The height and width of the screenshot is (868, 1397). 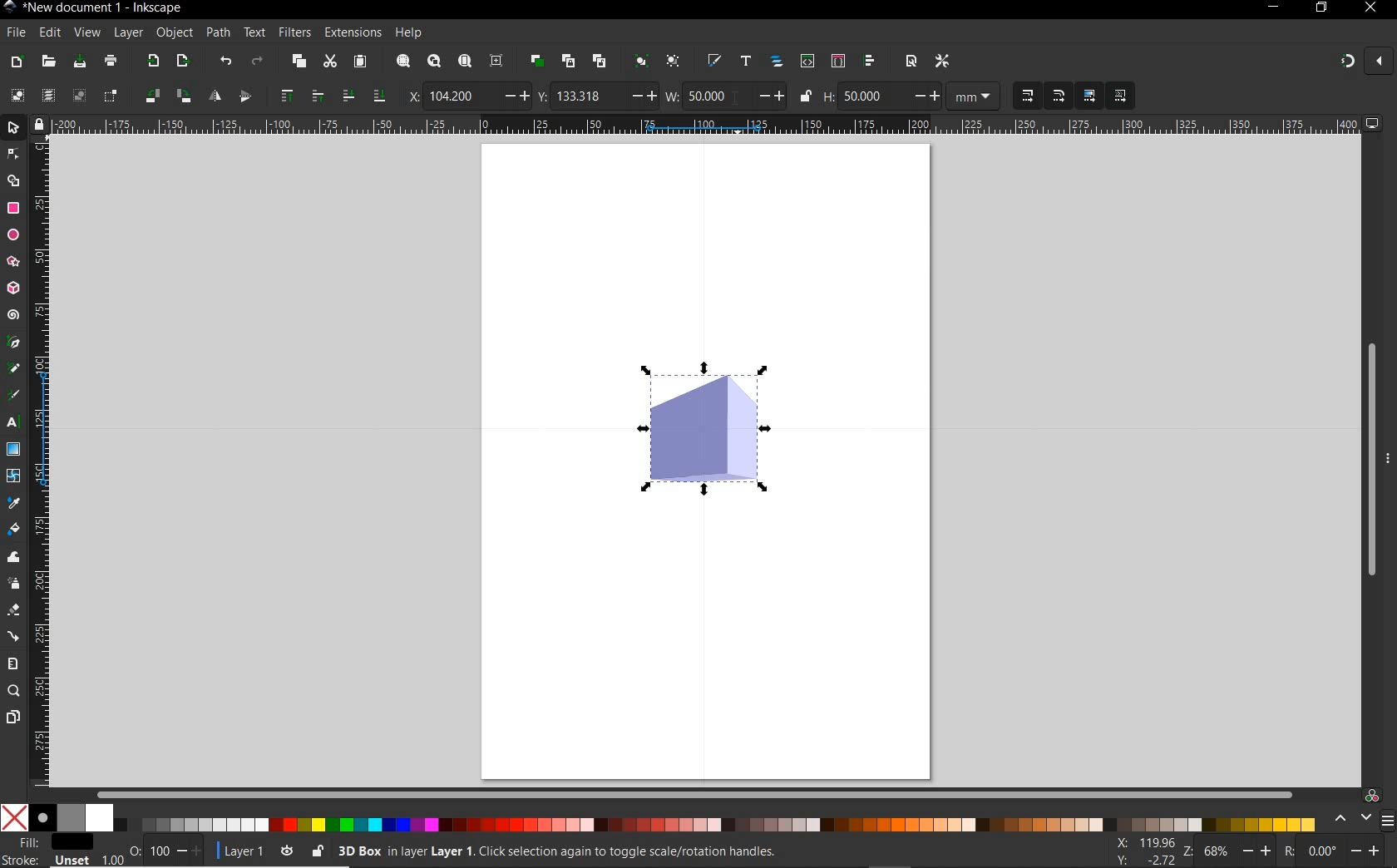 What do you see at coordinates (380, 96) in the screenshot?
I see `lower selection` at bounding box center [380, 96].